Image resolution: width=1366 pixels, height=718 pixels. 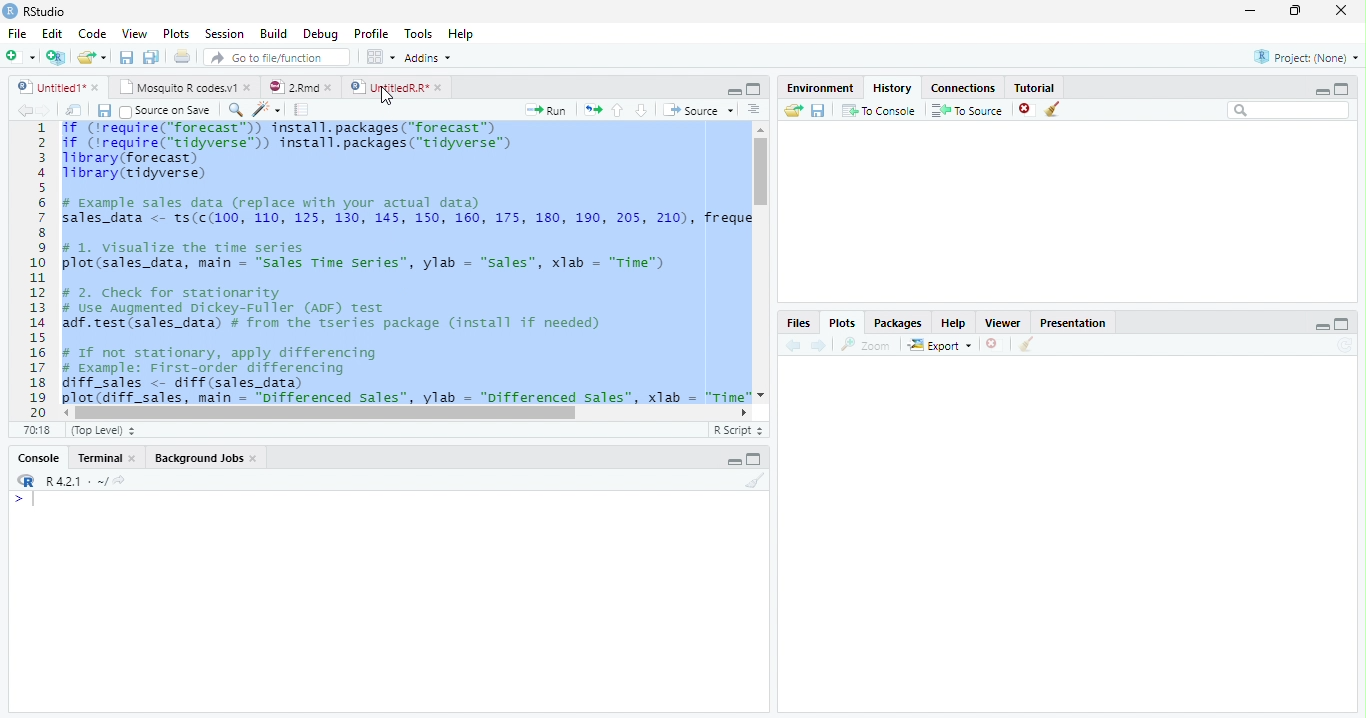 What do you see at coordinates (1056, 109) in the screenshot?
I see `Clean` at bounding box center [1056, 109].